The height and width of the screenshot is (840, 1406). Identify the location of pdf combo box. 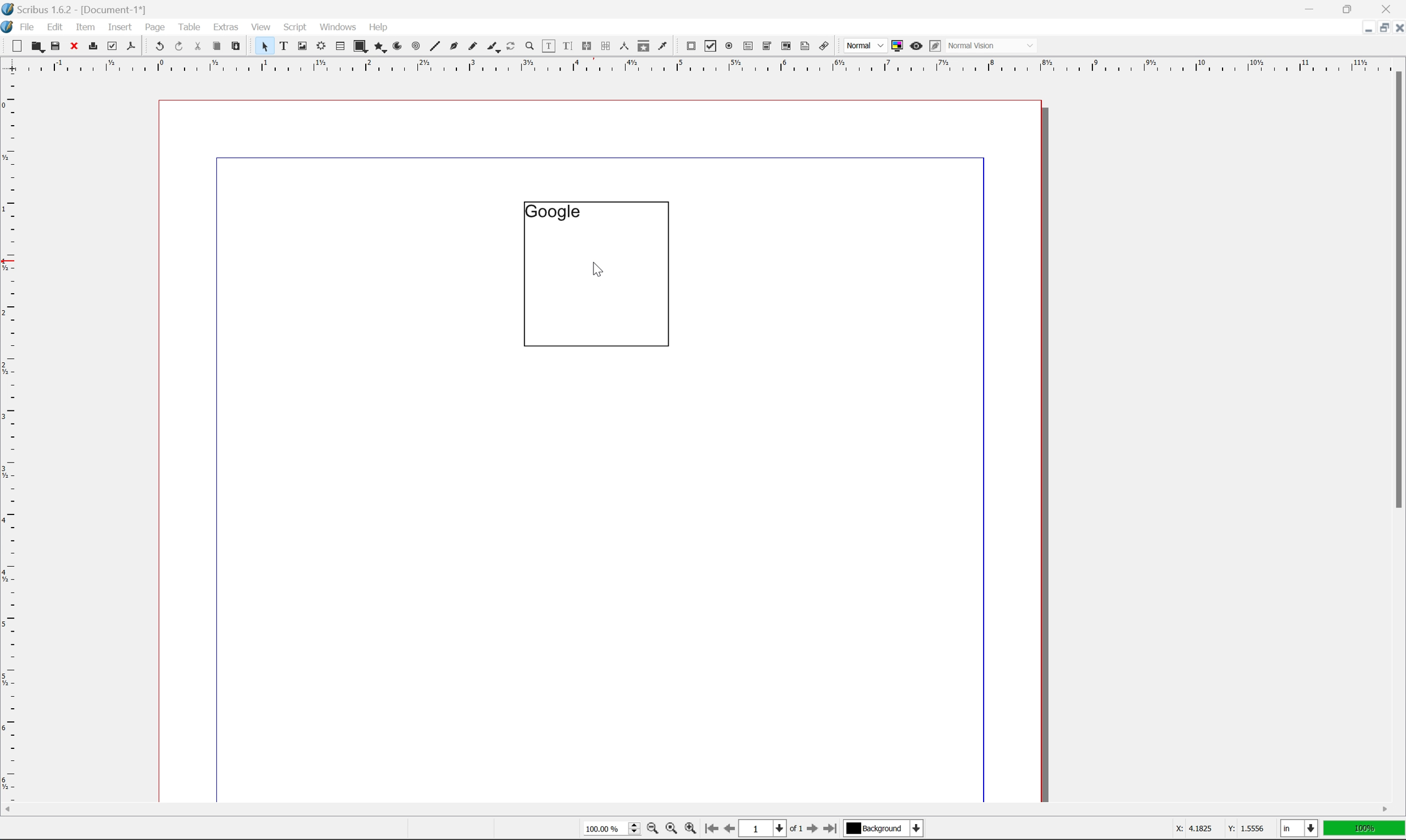
(766, 47).